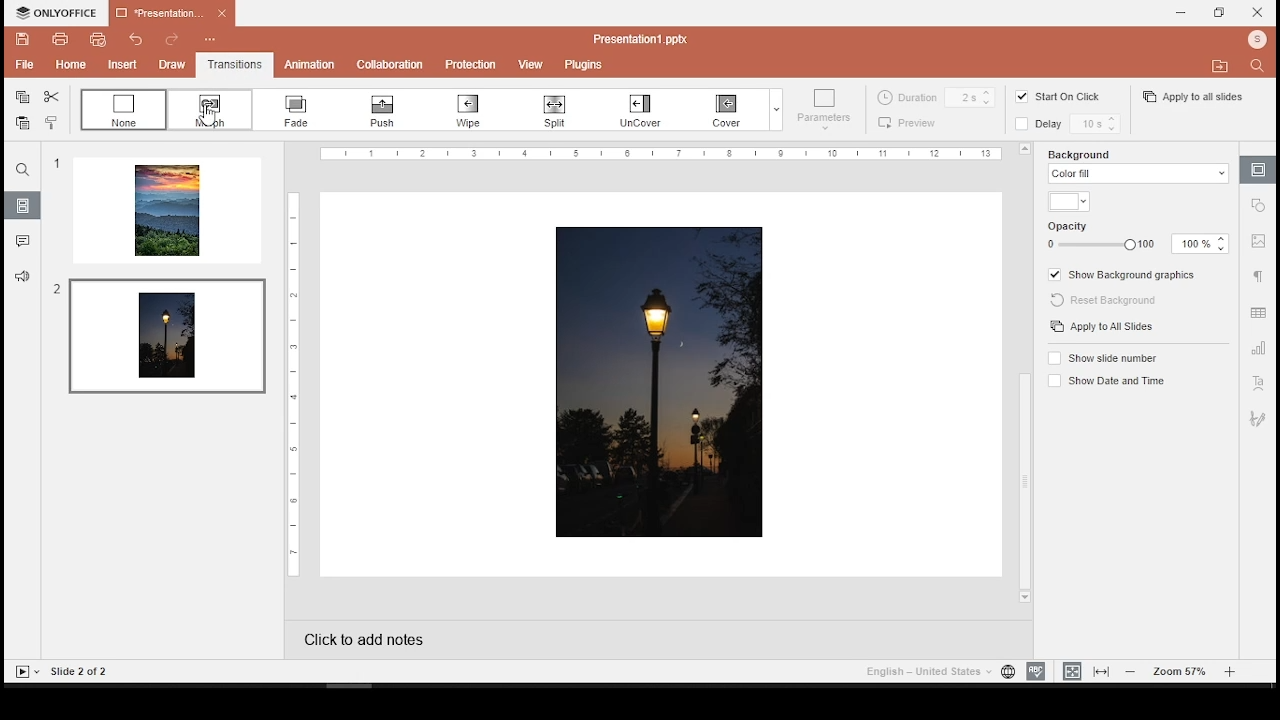 This screenshot has width=1280, height=720. I want to click on text art settings, so click(1259, 383).